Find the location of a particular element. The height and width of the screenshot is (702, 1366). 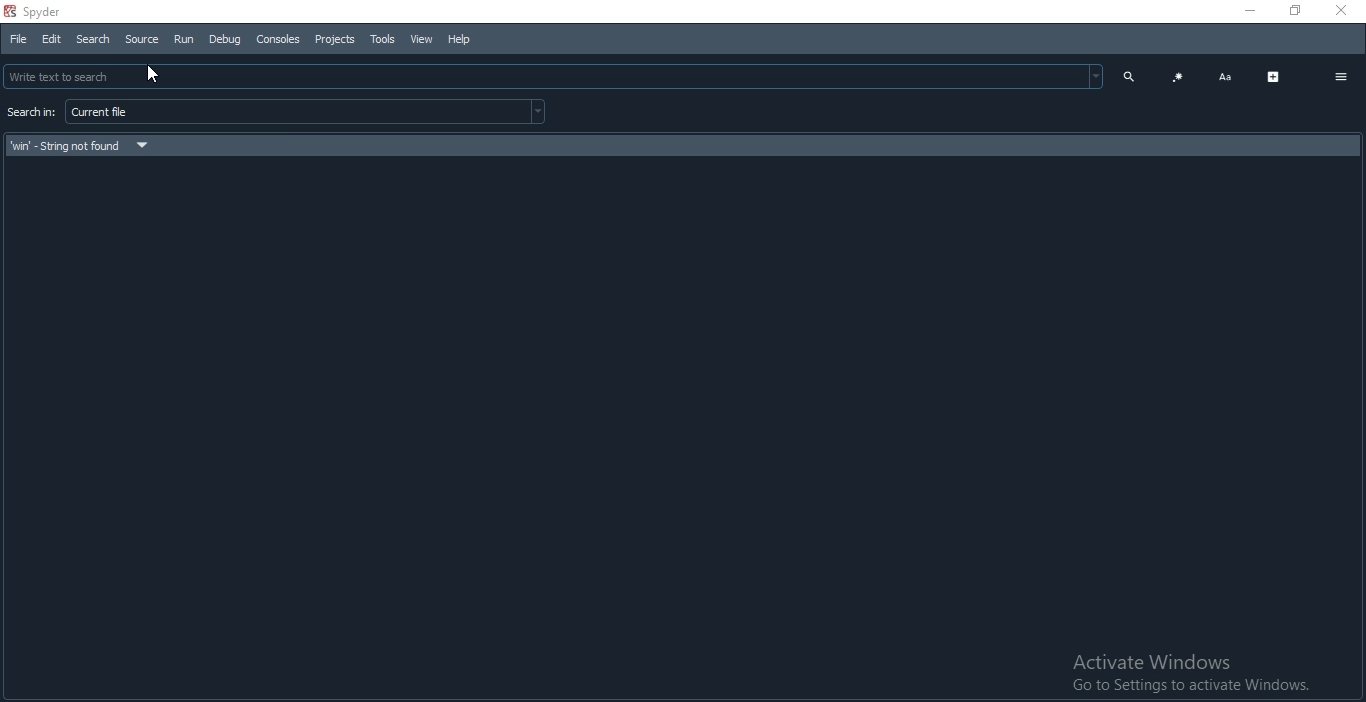

Projects is located at coordinates (334, 39).